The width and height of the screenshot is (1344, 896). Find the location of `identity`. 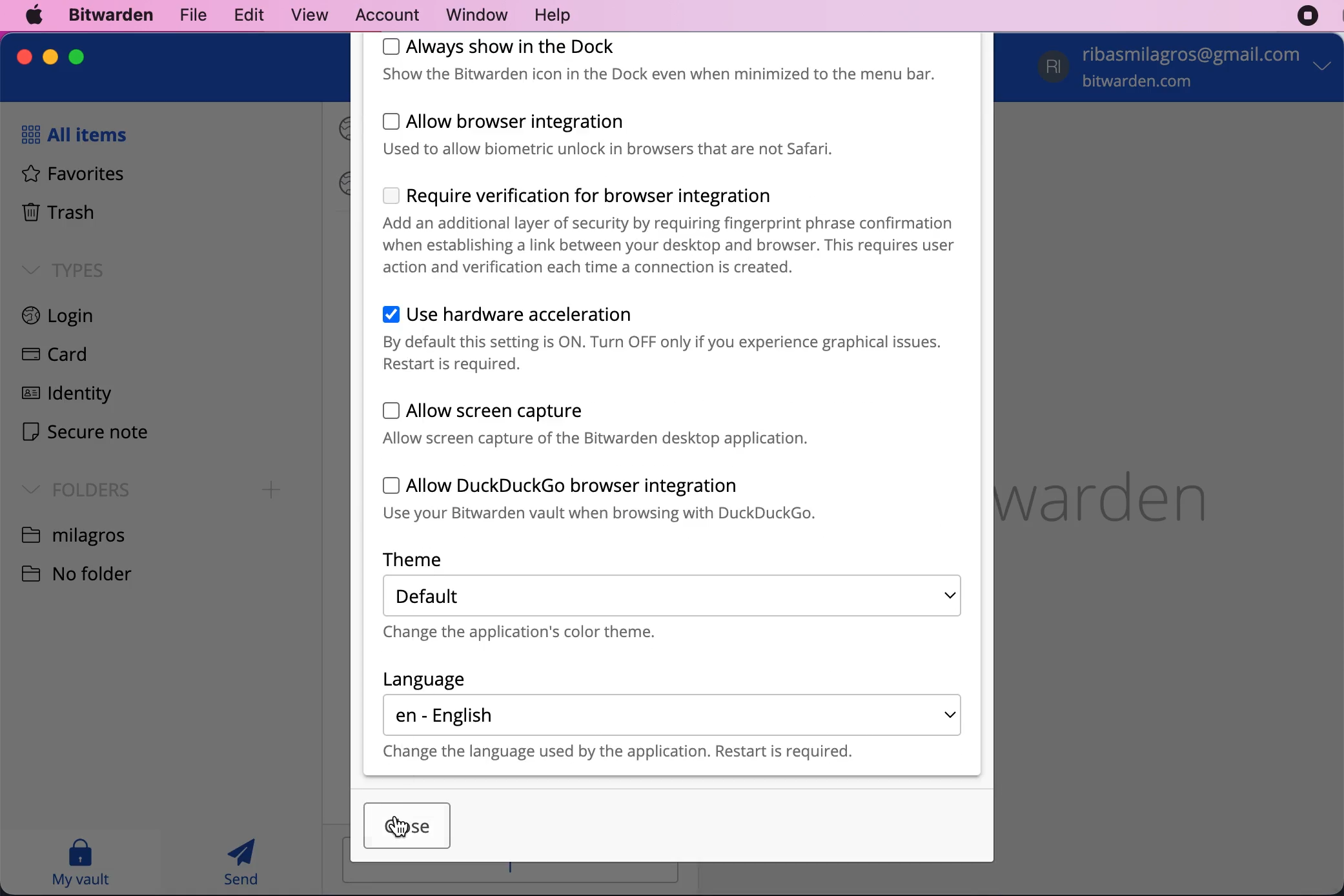

identity is located at coordinates (63, 396).